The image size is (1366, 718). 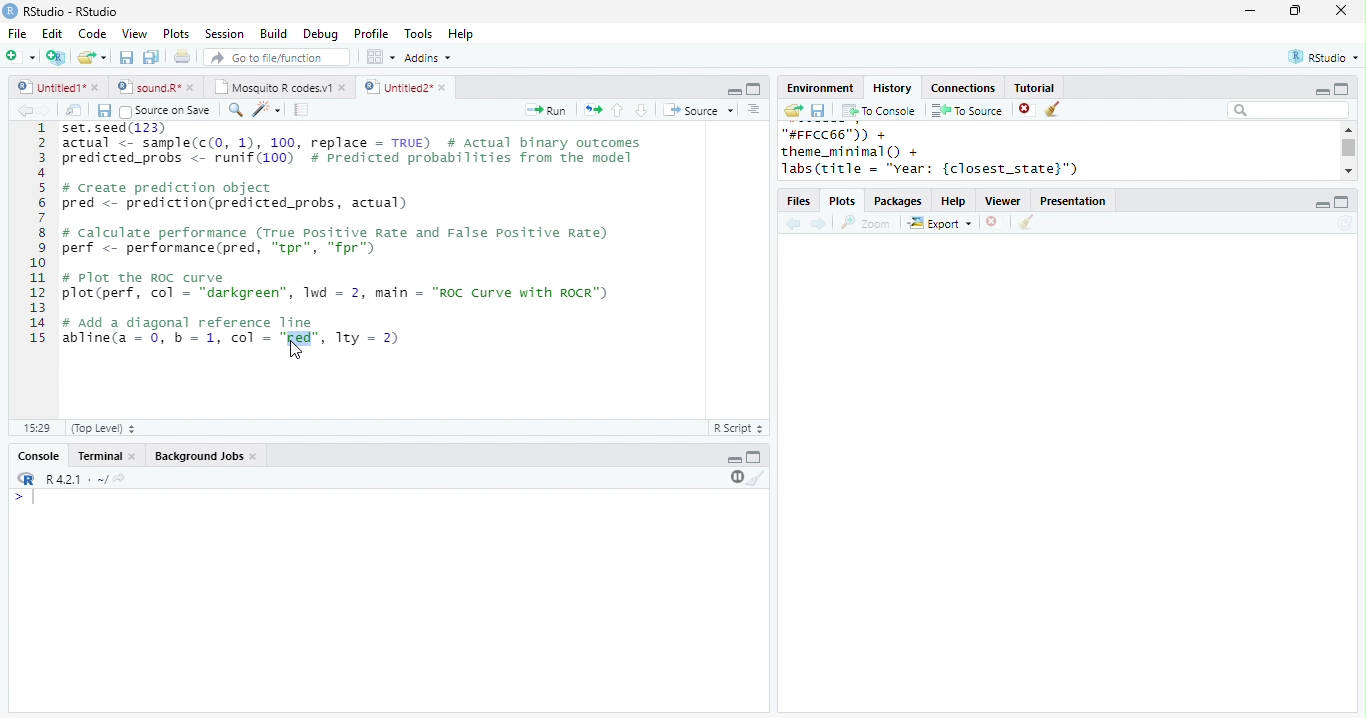 I want to click on line numbering, so click(x=39, y=235).